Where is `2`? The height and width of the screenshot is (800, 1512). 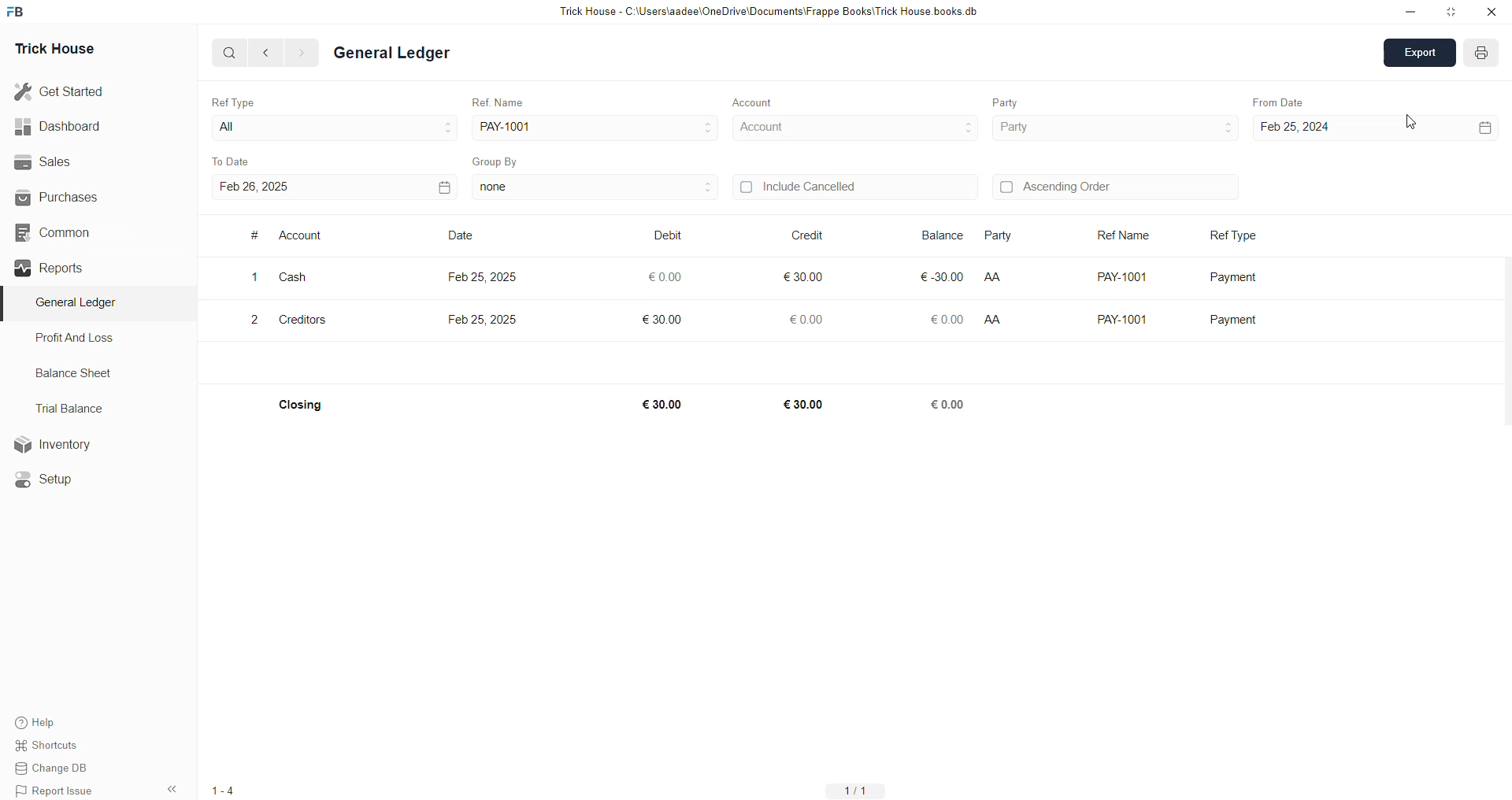 2 is located at coordinates (251, 316).